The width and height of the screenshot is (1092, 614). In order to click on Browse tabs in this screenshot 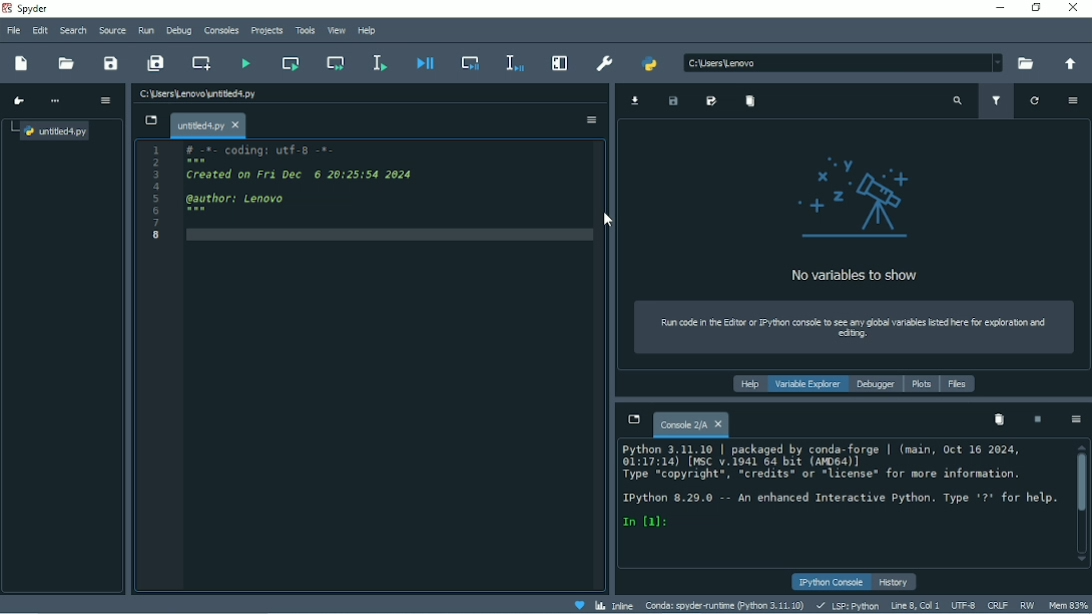, I will do `click(632, 419)`.